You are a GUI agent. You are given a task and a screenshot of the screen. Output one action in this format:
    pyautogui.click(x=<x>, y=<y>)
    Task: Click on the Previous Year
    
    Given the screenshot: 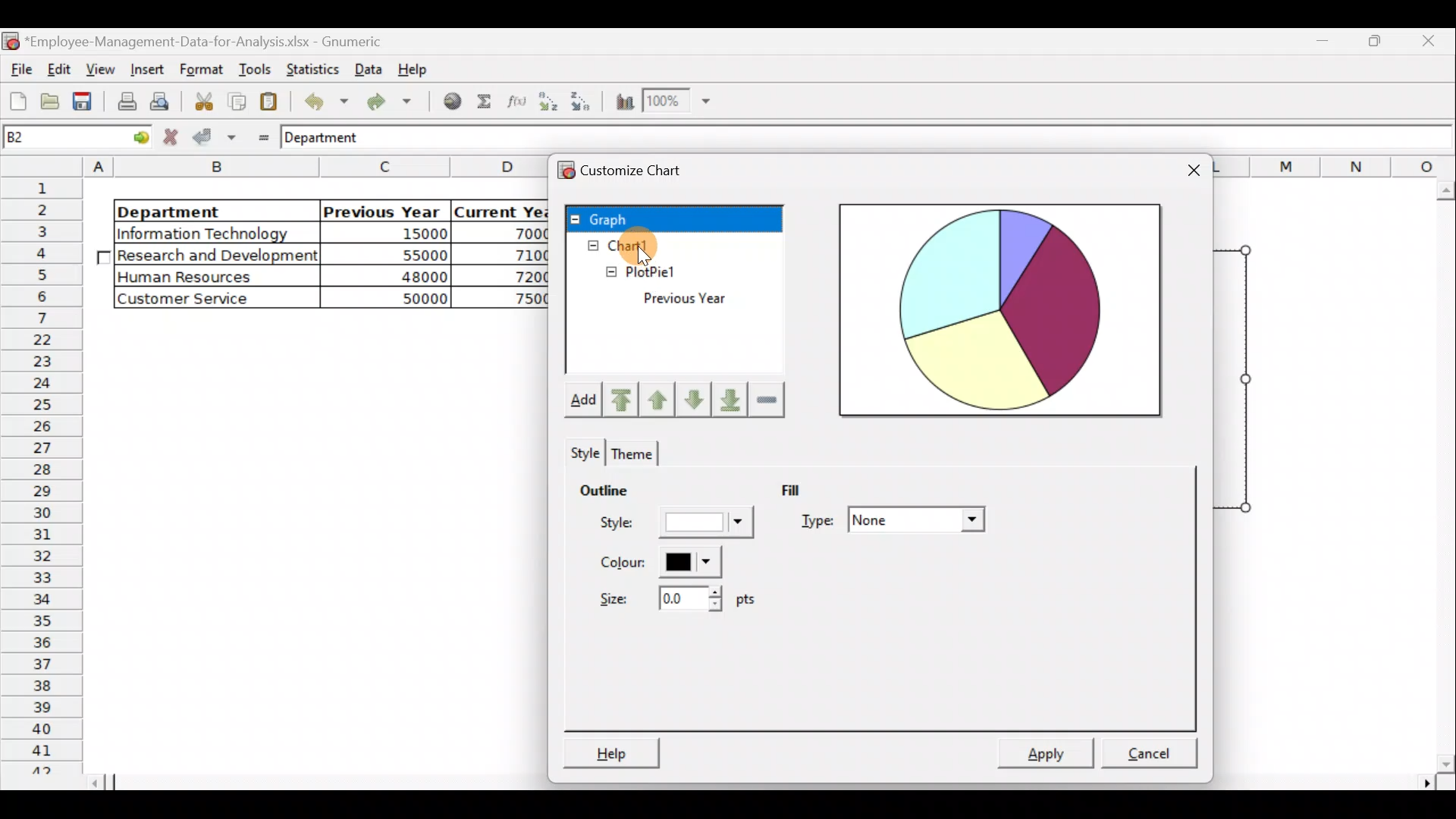 What is the action you would take?
    pyautogui.click(x=717, y=299)
    